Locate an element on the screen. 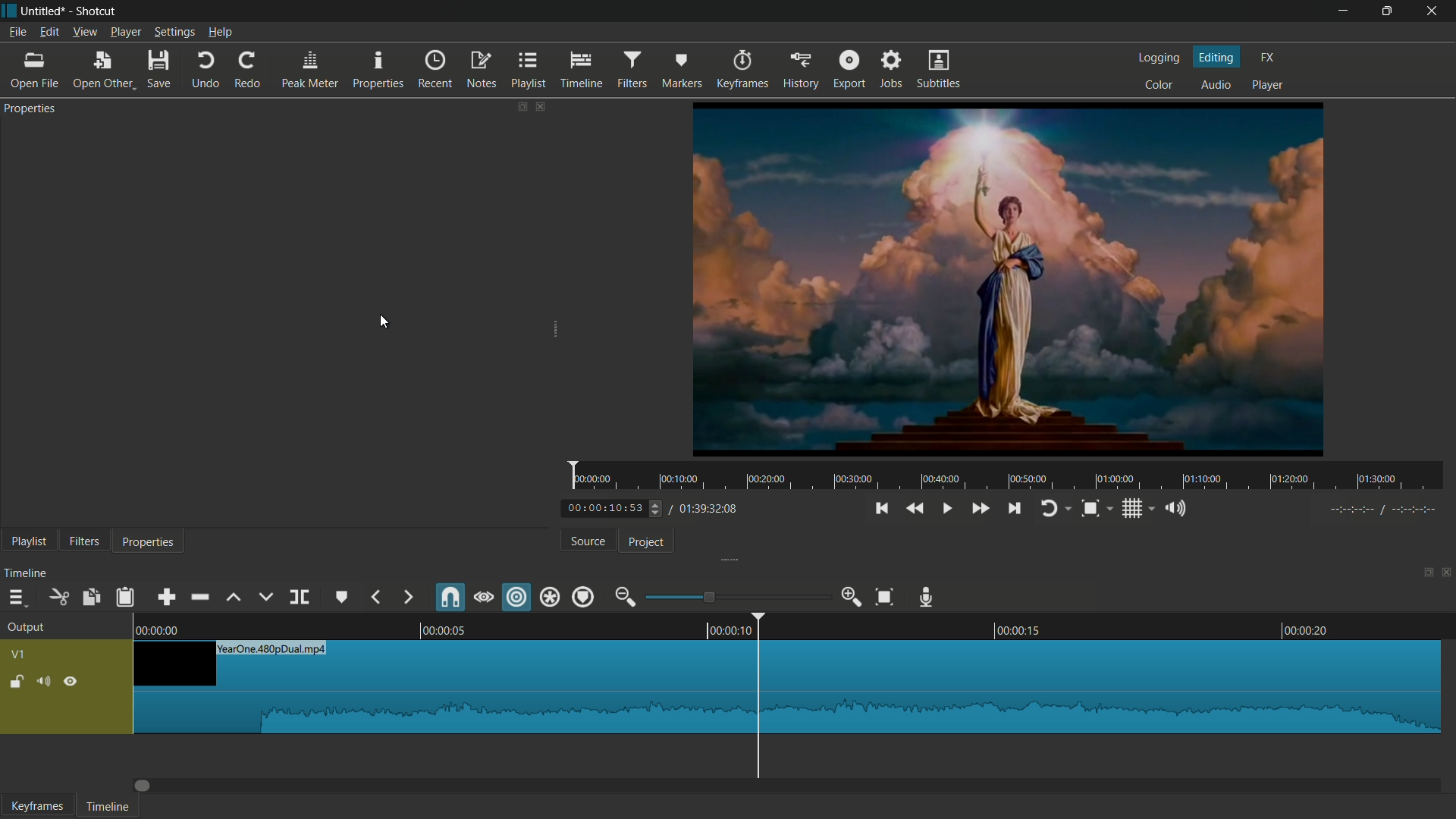 Image resolution: width=1456 pixels, height=819 pixels. zoom timeline to fit is located at coordinates (883, 598).